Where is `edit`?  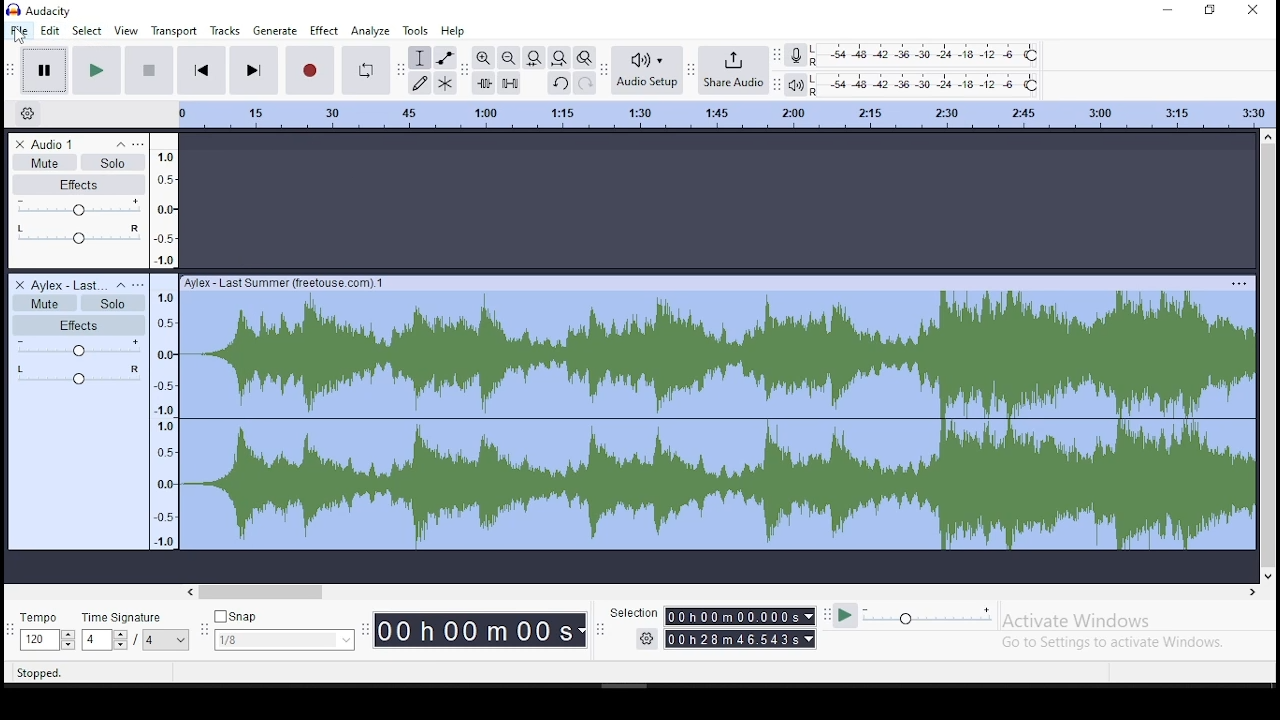
edit is located at coordinates (50, 30).